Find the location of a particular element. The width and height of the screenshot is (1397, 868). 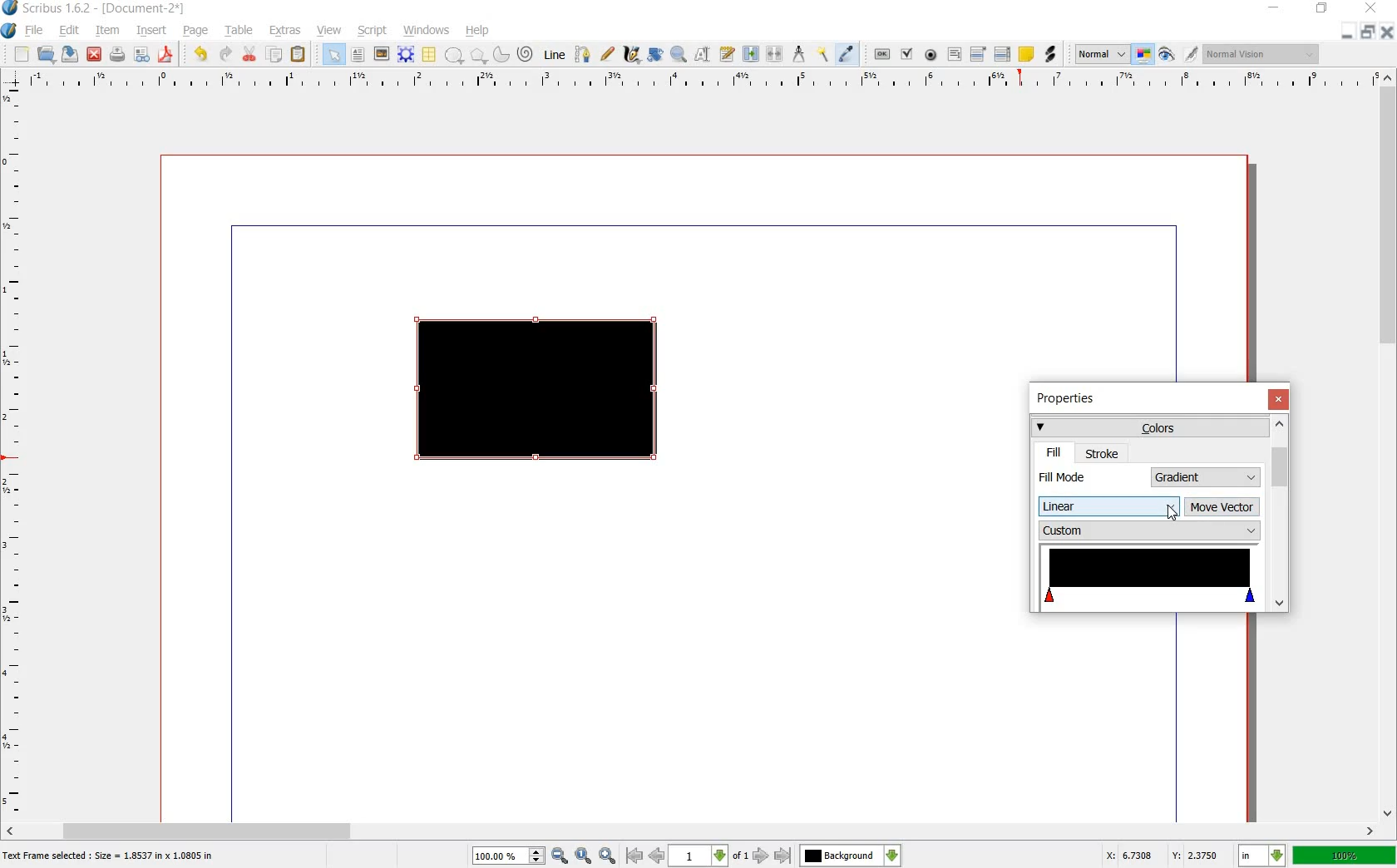

item is located at coordinates (106, 32).